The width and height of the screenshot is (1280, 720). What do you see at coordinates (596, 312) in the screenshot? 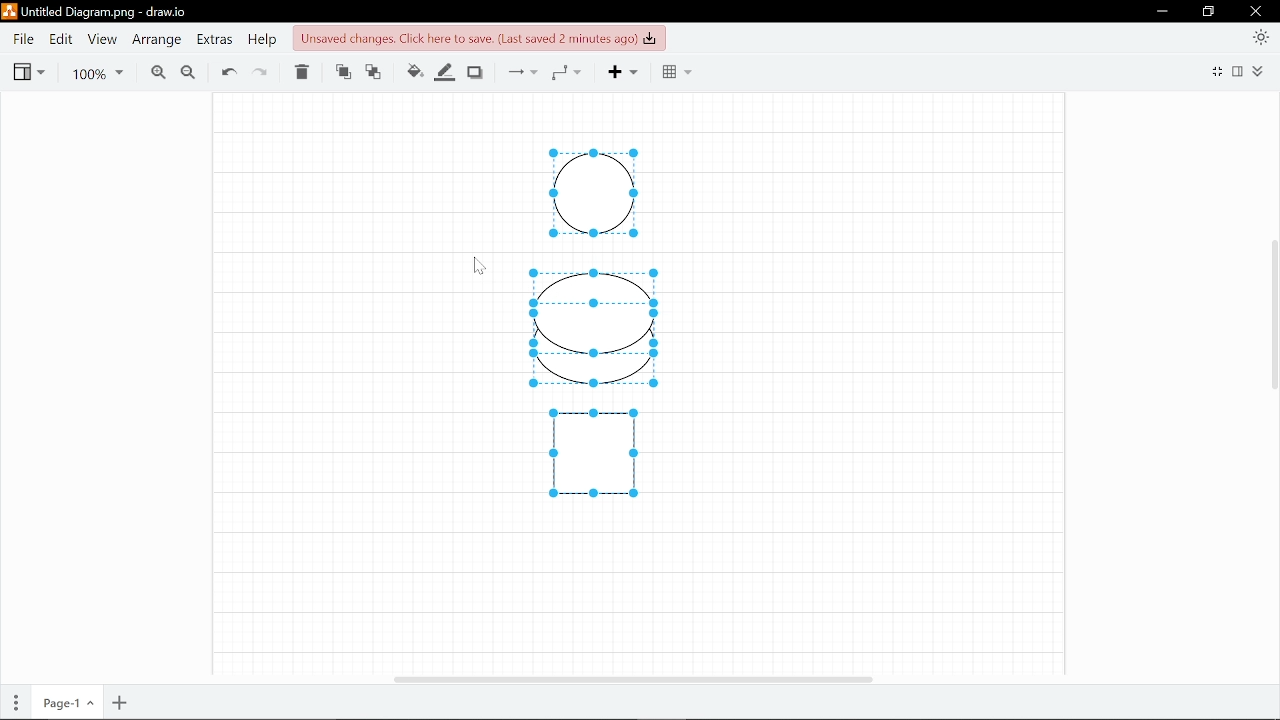
I see `Diagram` at bounding box center [596, 312].